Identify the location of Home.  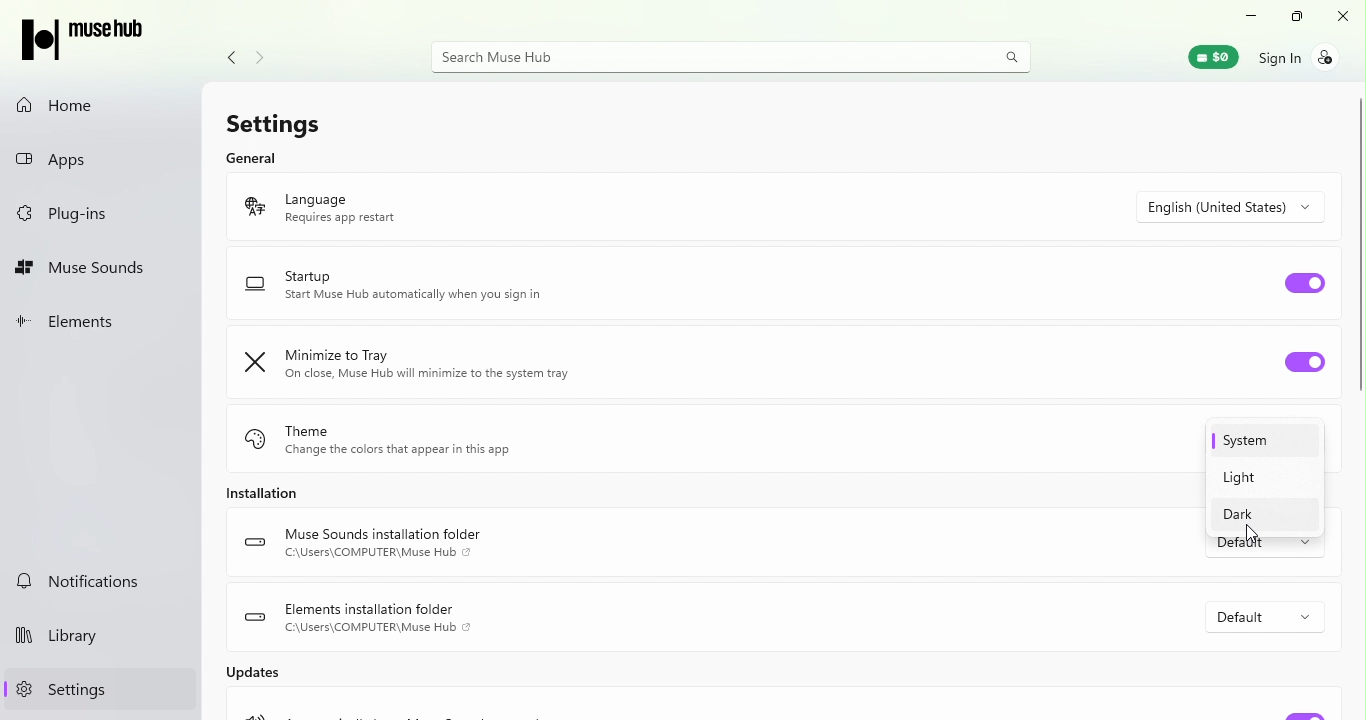
(100, 103).